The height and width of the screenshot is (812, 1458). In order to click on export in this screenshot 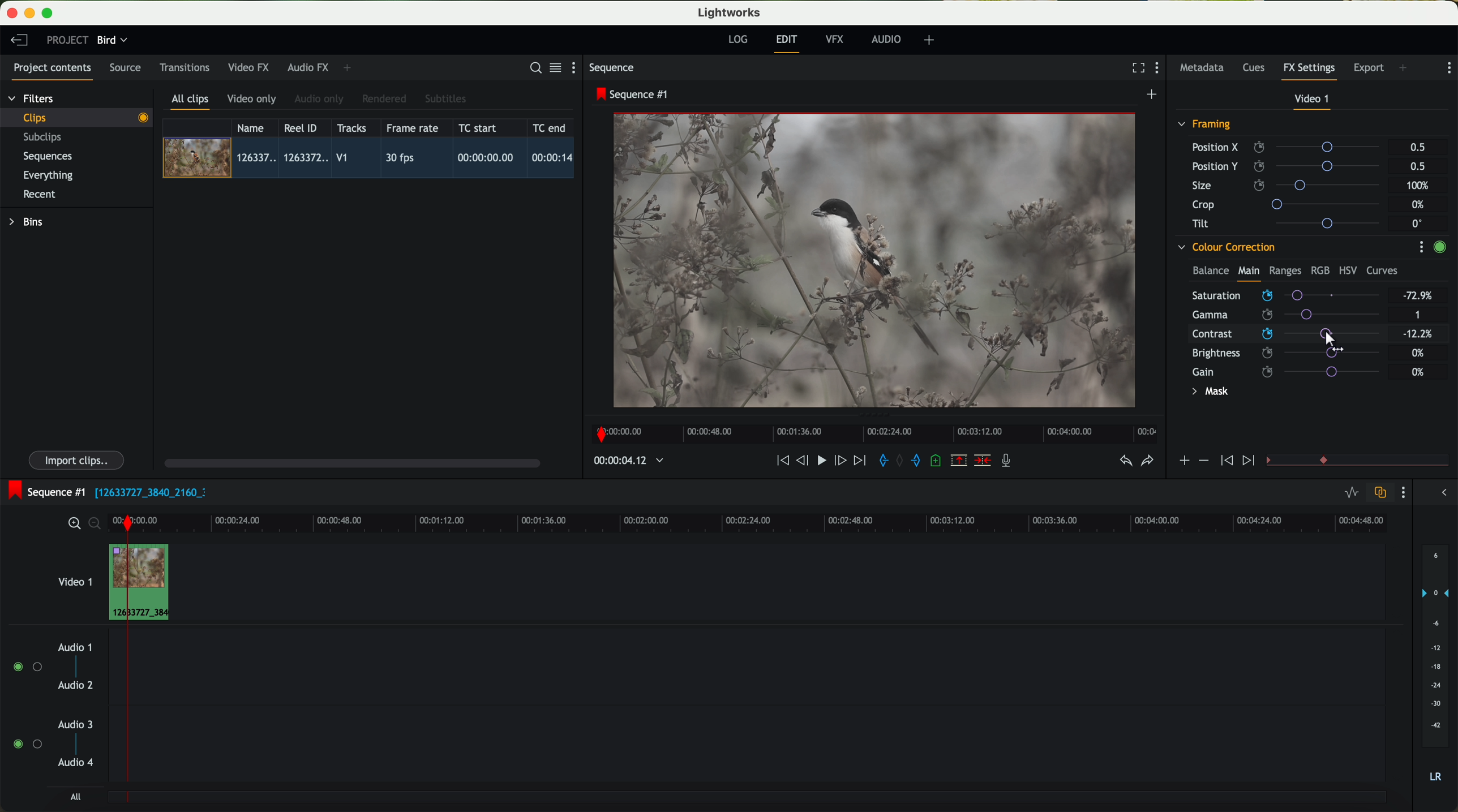, I will do `click(1369, 69)`.